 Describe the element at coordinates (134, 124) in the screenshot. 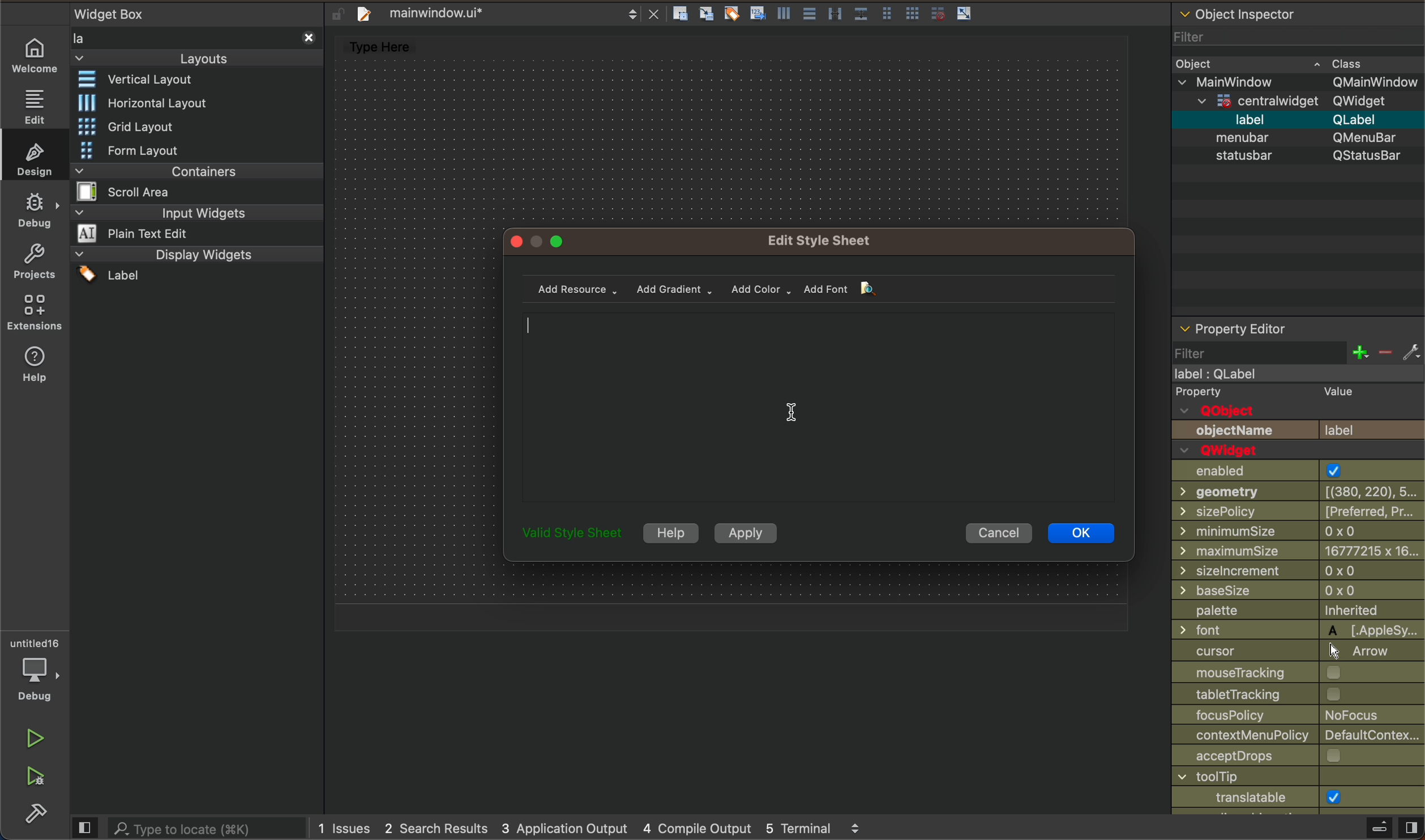

I see `grid layout` at that location.